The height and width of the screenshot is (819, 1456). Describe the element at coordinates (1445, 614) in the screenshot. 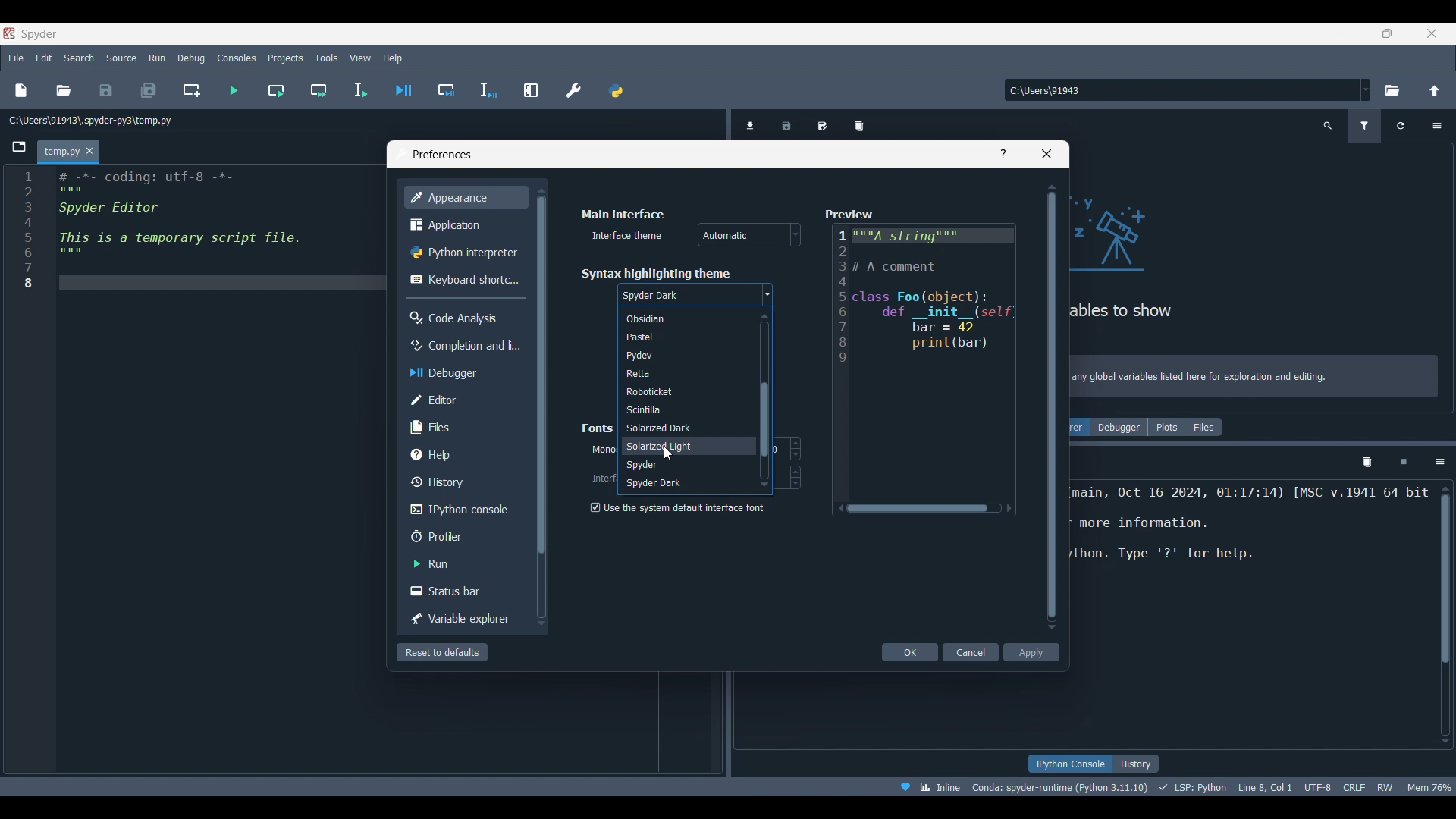

I see `Vertical slide bar` at that location.